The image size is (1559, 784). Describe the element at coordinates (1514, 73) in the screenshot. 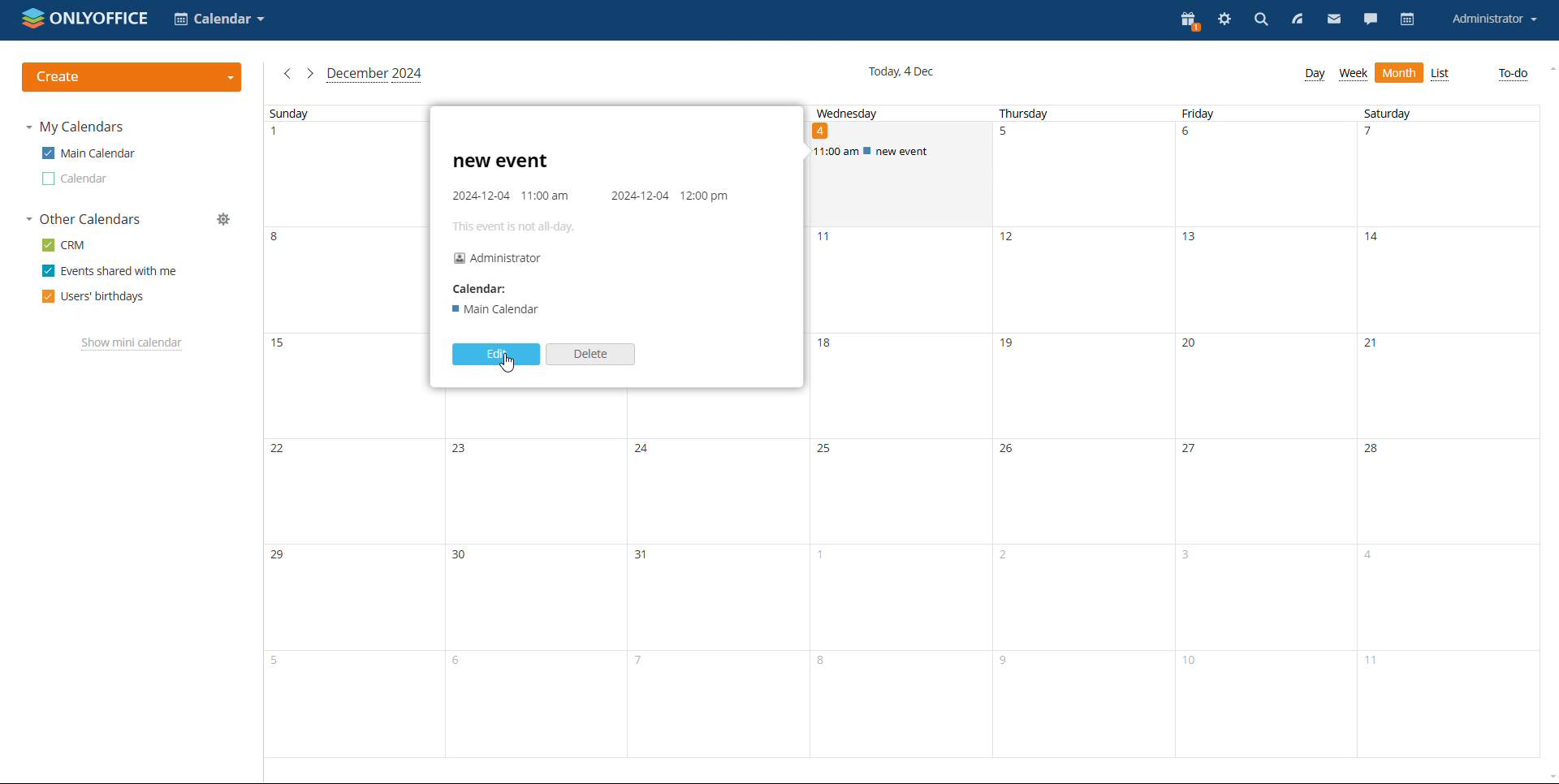

I see `to-do` at that location.